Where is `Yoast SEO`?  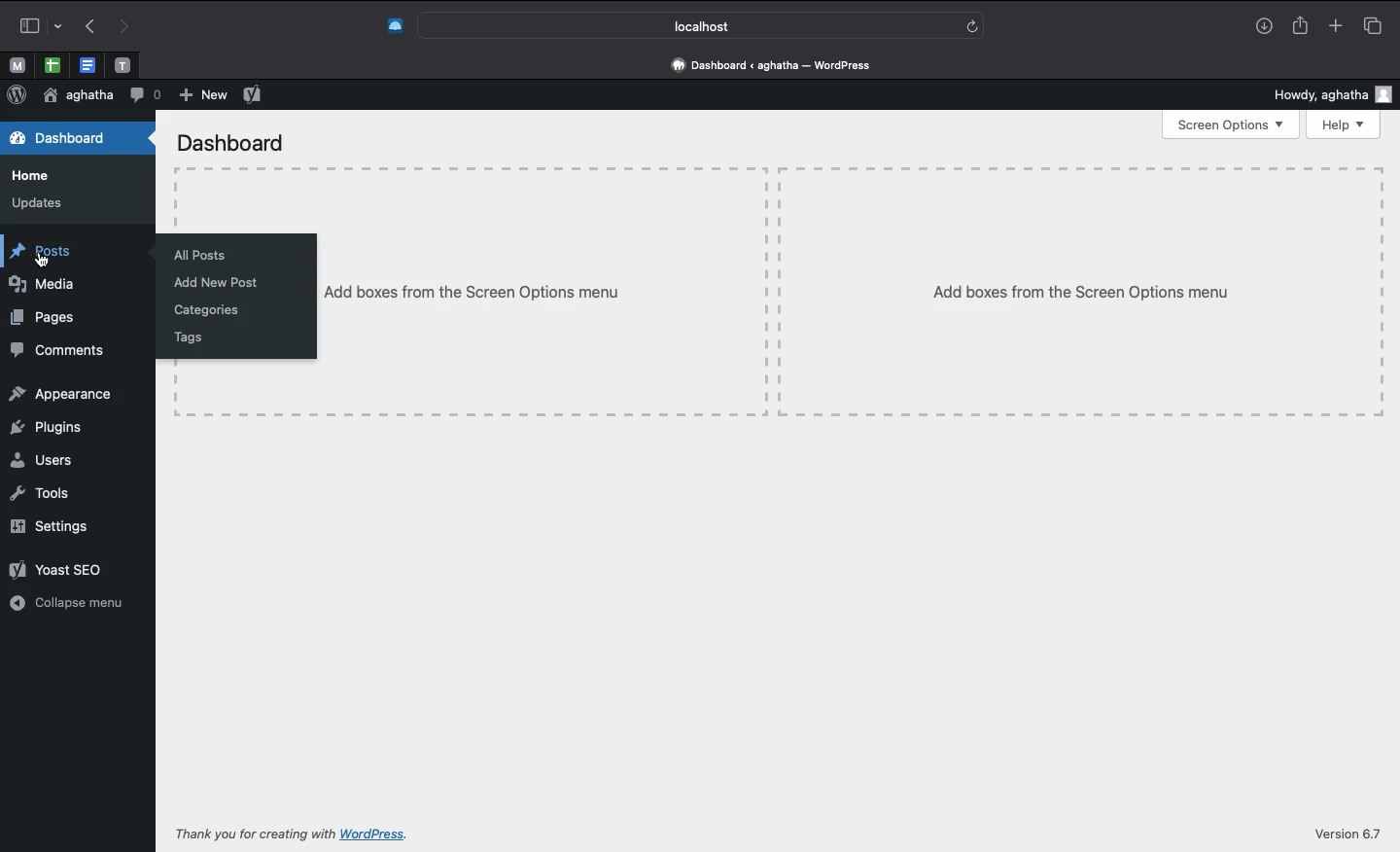
Yoast SEO is located at coordinates (52, 567).